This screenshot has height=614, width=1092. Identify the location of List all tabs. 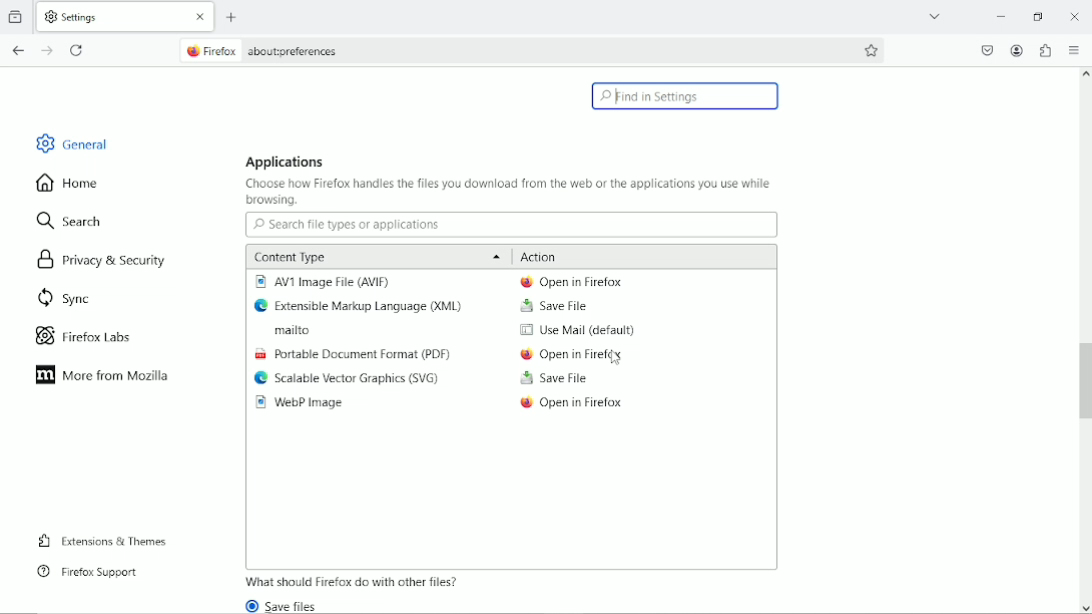
(936, 16).